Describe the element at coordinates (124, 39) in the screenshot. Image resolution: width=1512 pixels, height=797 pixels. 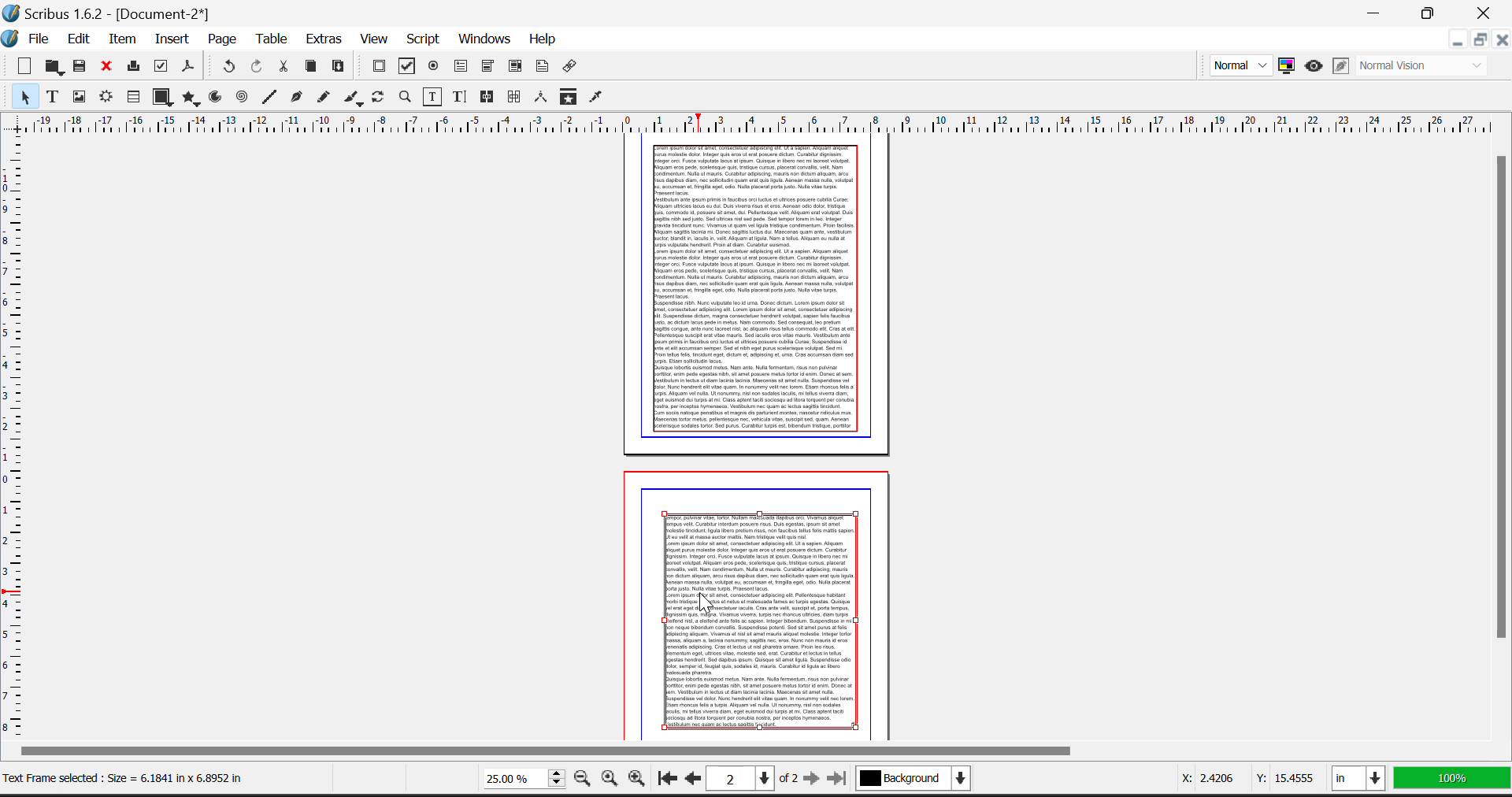
I see `Item` at that location.